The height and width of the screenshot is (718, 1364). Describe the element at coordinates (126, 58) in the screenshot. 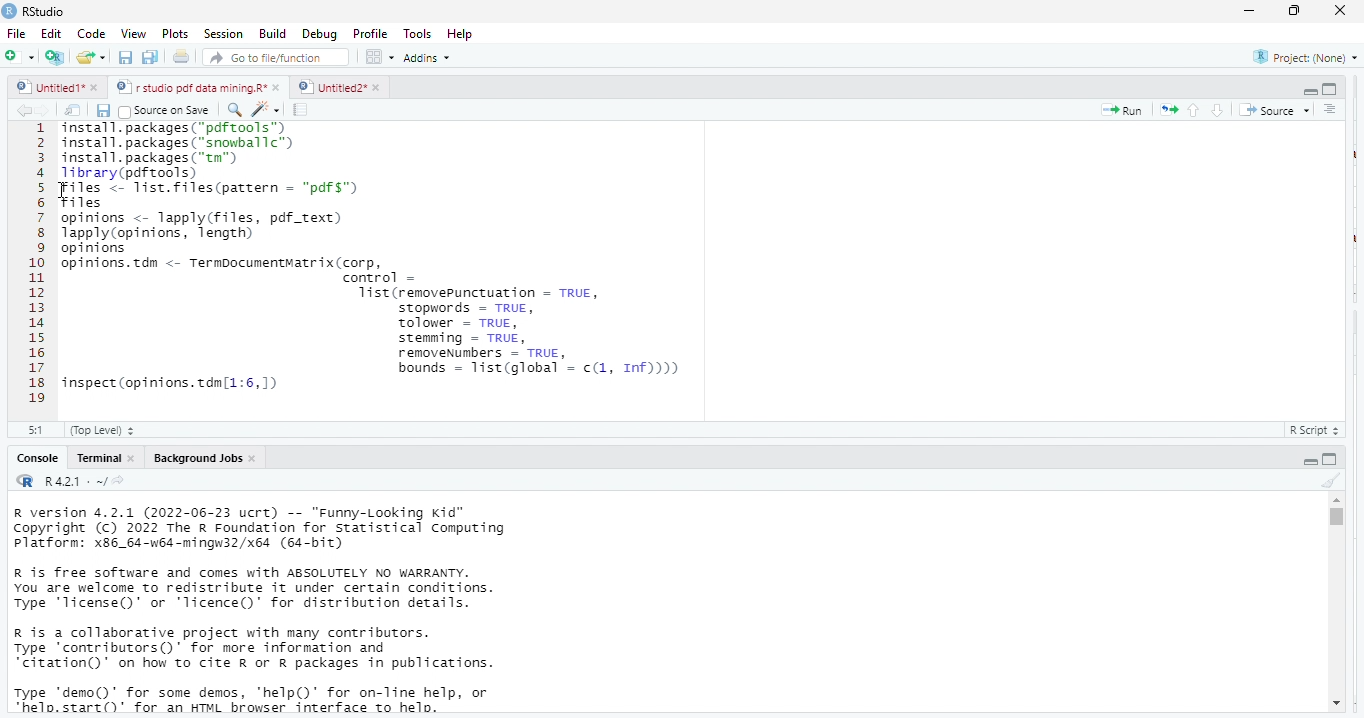

I see `save current document` at that location.